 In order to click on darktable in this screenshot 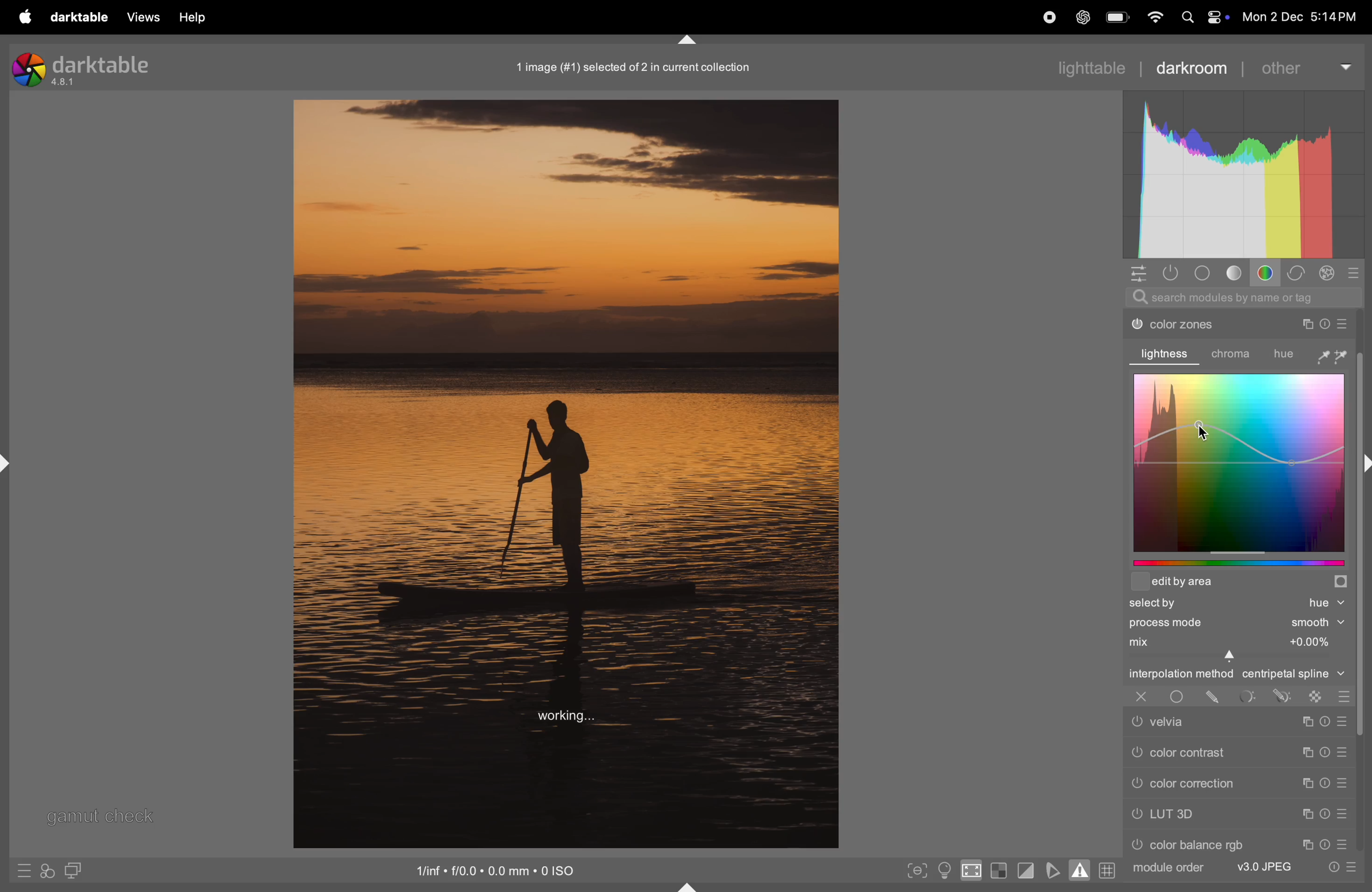, I will do `click(88, 71)`.